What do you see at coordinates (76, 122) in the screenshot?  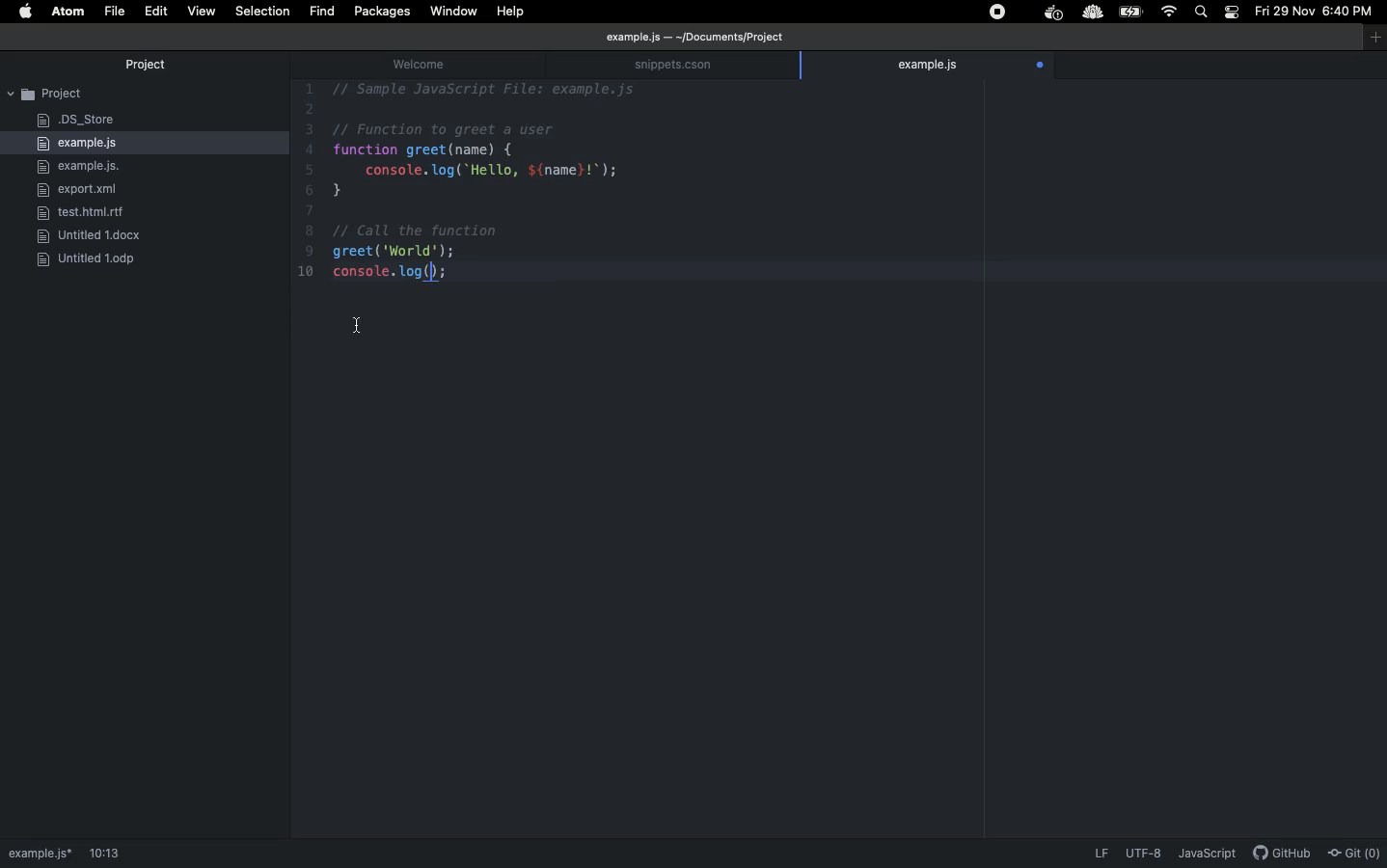 I see `DS_Store` at bounding box center [76, 122].